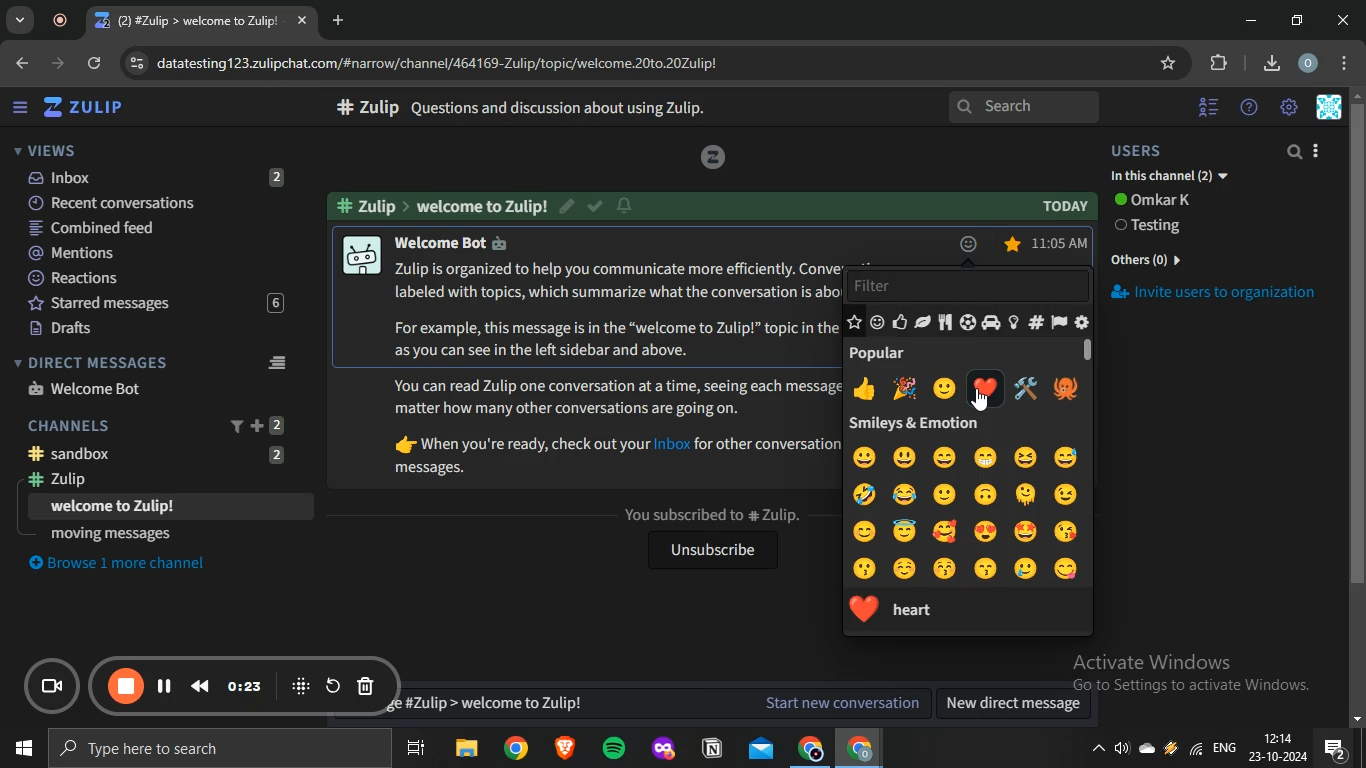 Image resolution: width=1366 pixels, height=768 pixels. What do you see at coordinates (1157, 200) in the screenshot?
I see `text` at bounding box center [1157, 200].